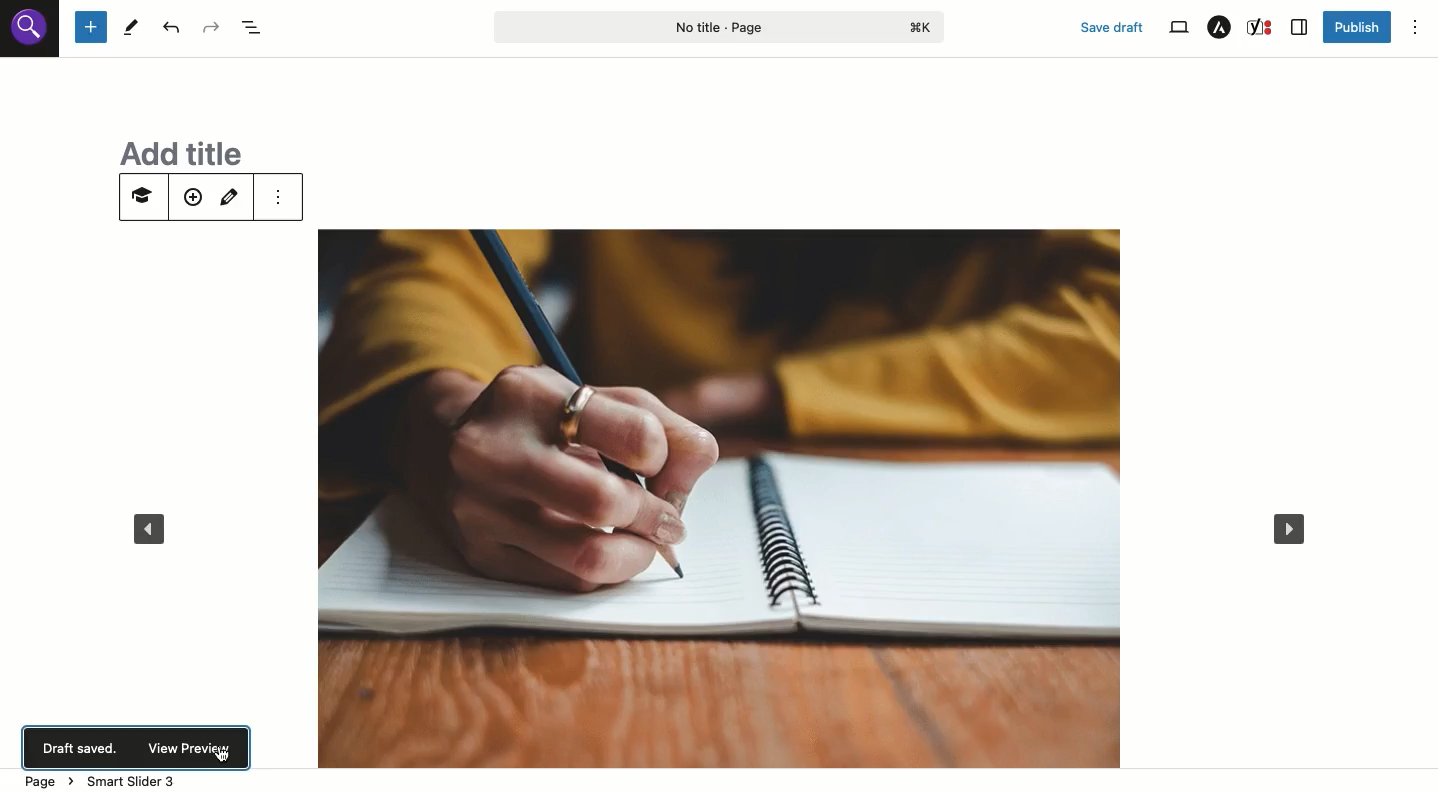 The image size is (1438, 792). What do you see at coordinates (138, 781) in the screenshot?
I see `smart slider 3` at bounding box center [138, 781].